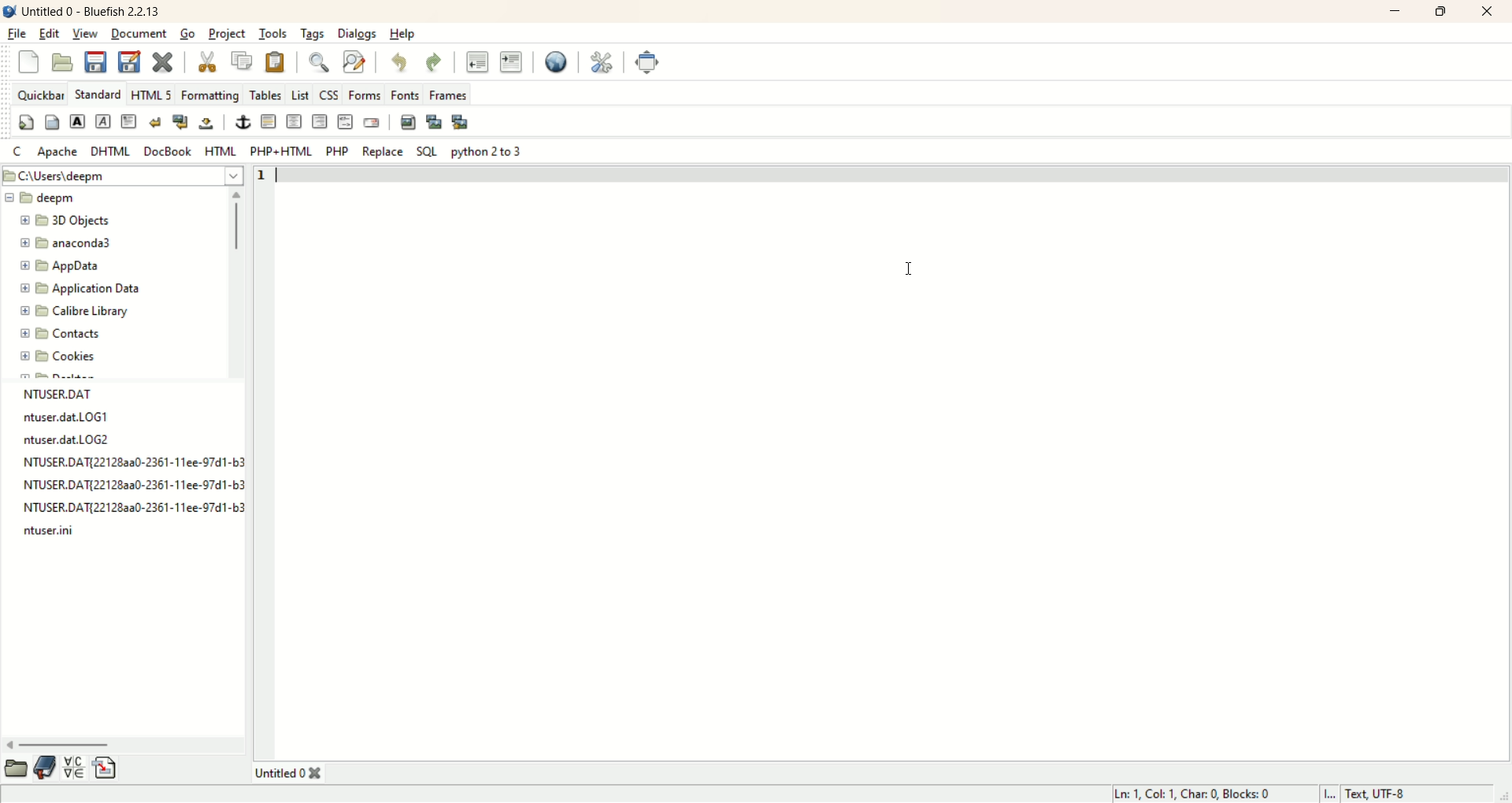  Describe the element at coordinates (267, 177) in the screenshot. I see `line number` at that location.